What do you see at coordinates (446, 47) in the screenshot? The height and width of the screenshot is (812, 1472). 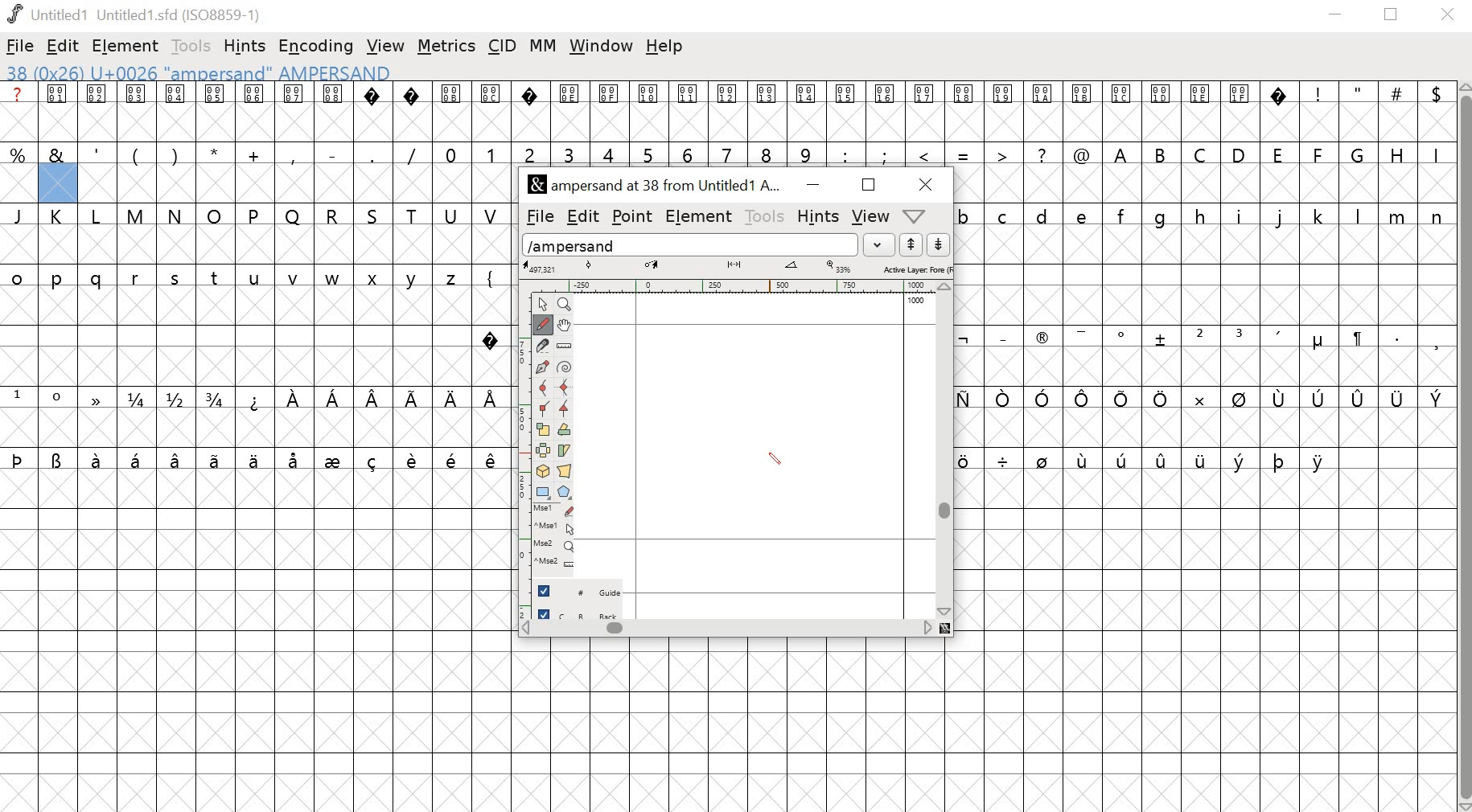 I see `metrics` at bounding box center [446, 47].